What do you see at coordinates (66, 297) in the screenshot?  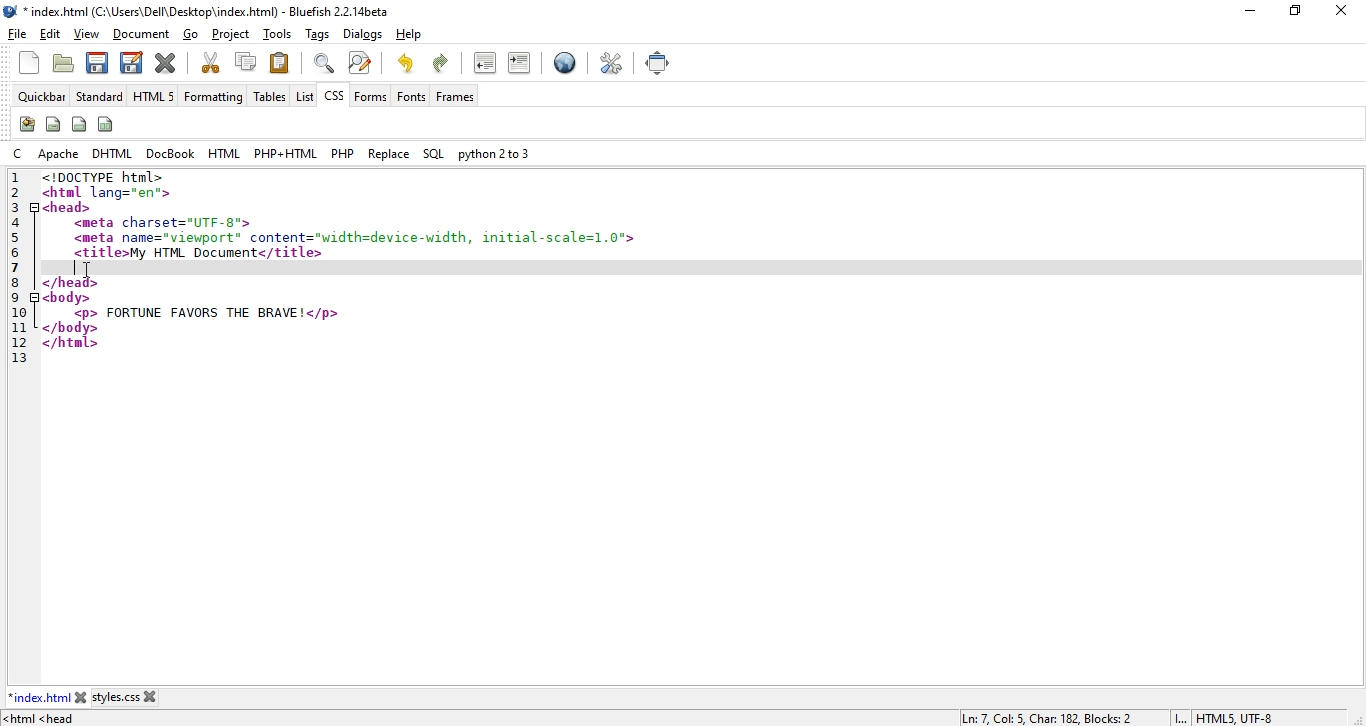 I see `<body>` at bounding box center [66, 297].